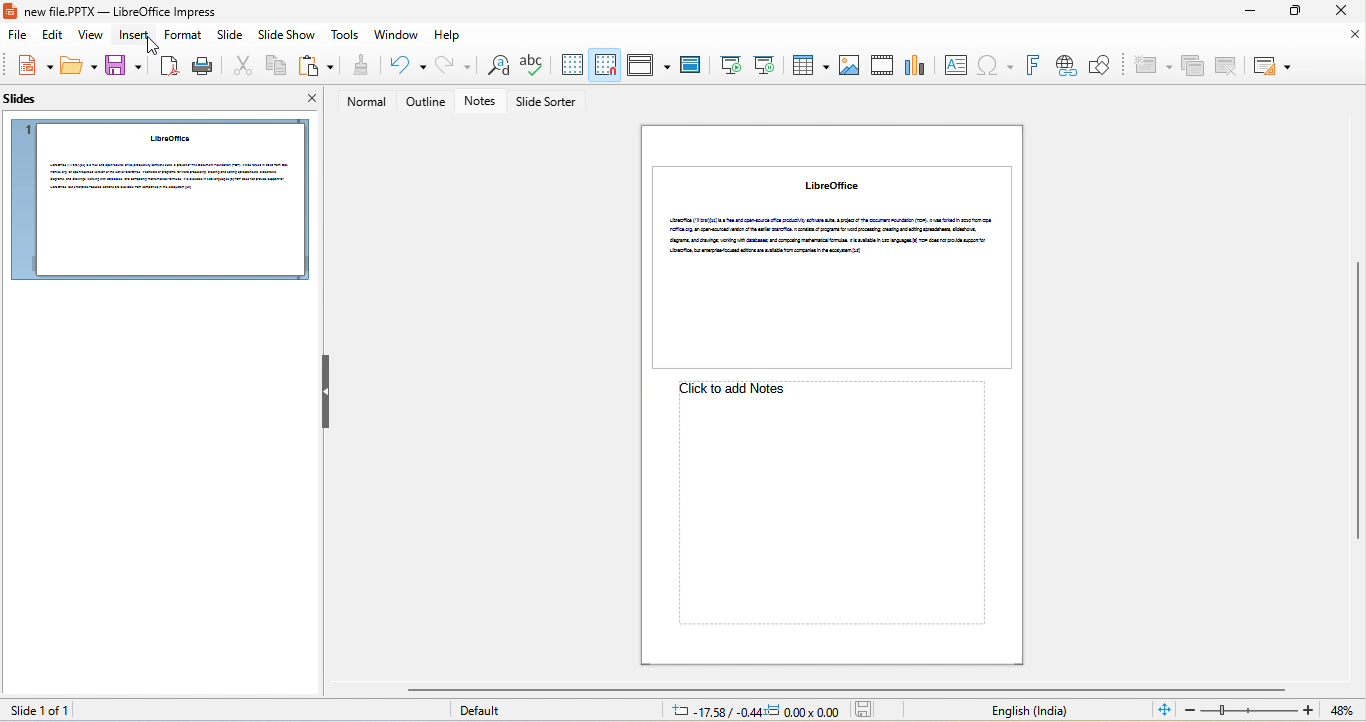 Image resolution: width=1366 pixels, height=722 pixels. What do you see at coordinates (1271, 66) in the screenshot?
I see `slide layout` at bounding box center [1271, 66].